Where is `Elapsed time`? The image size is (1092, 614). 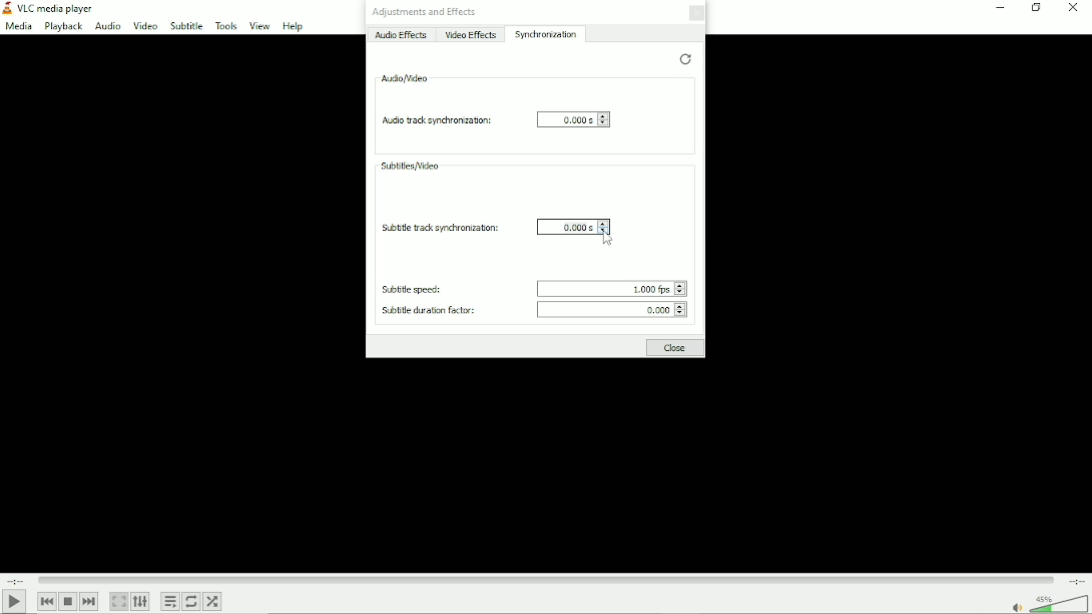 Elapsed time is located at coordinates (17, 580).